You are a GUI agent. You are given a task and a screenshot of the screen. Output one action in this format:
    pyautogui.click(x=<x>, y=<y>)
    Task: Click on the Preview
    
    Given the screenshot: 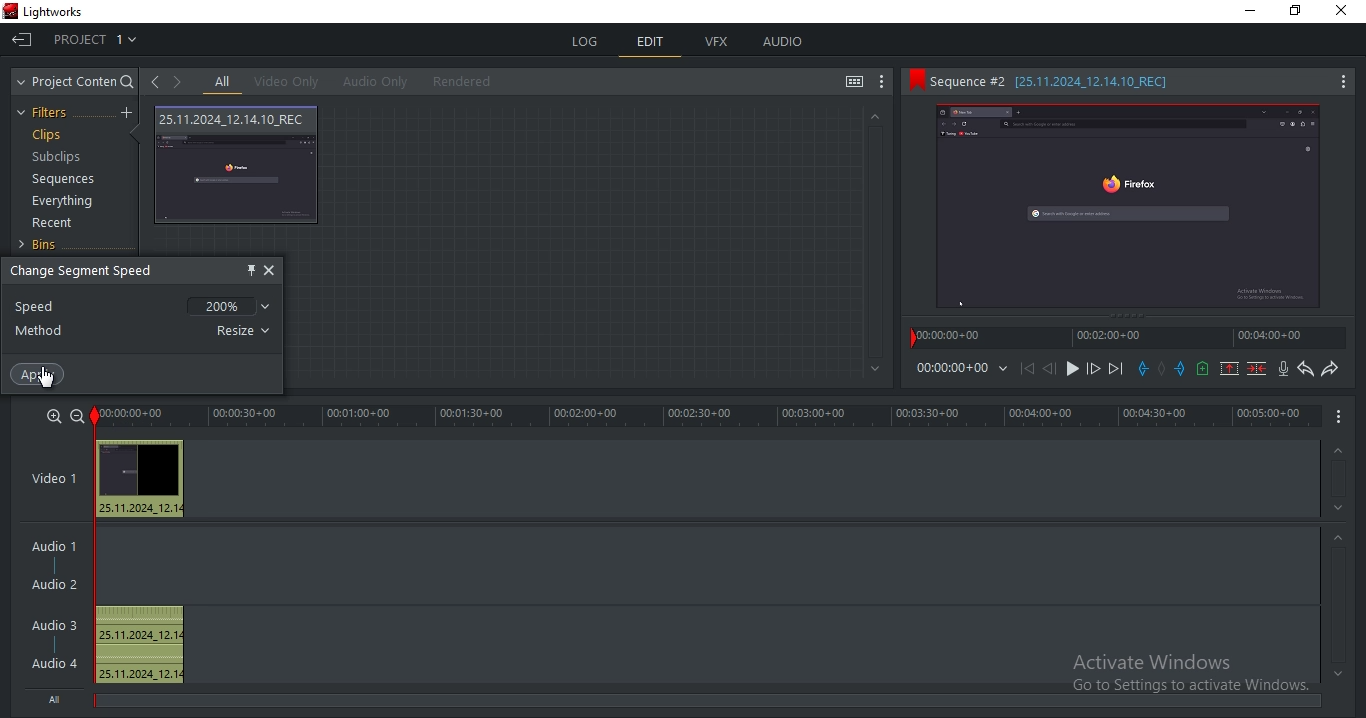 What is the action you would take?
    pyautogui.click(x=1129, y=207)
    